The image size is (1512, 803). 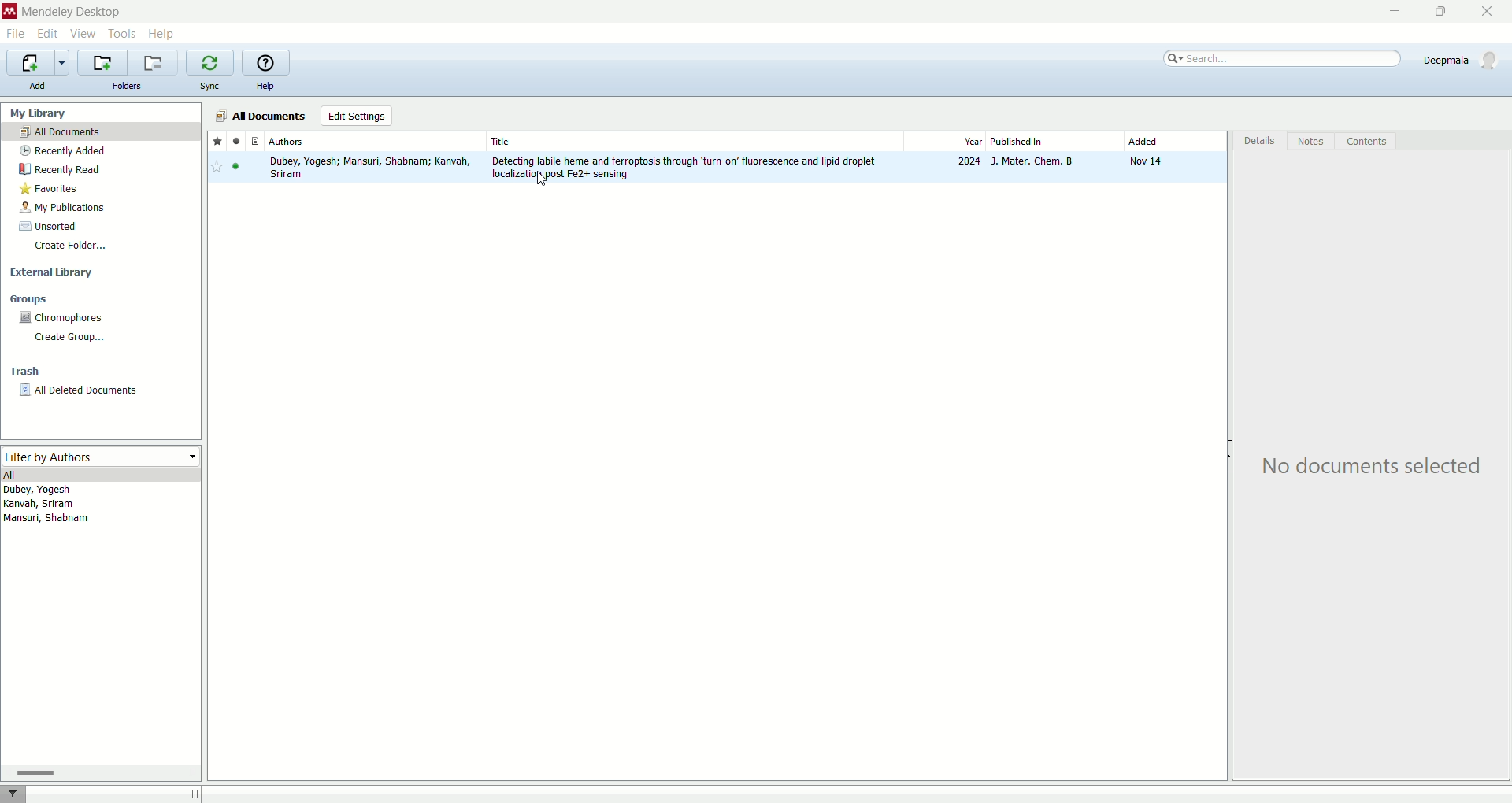 What do you see at coordinates (356, 116) in the screenshot?
I see `edit settings` at bounding box center [356, 116].